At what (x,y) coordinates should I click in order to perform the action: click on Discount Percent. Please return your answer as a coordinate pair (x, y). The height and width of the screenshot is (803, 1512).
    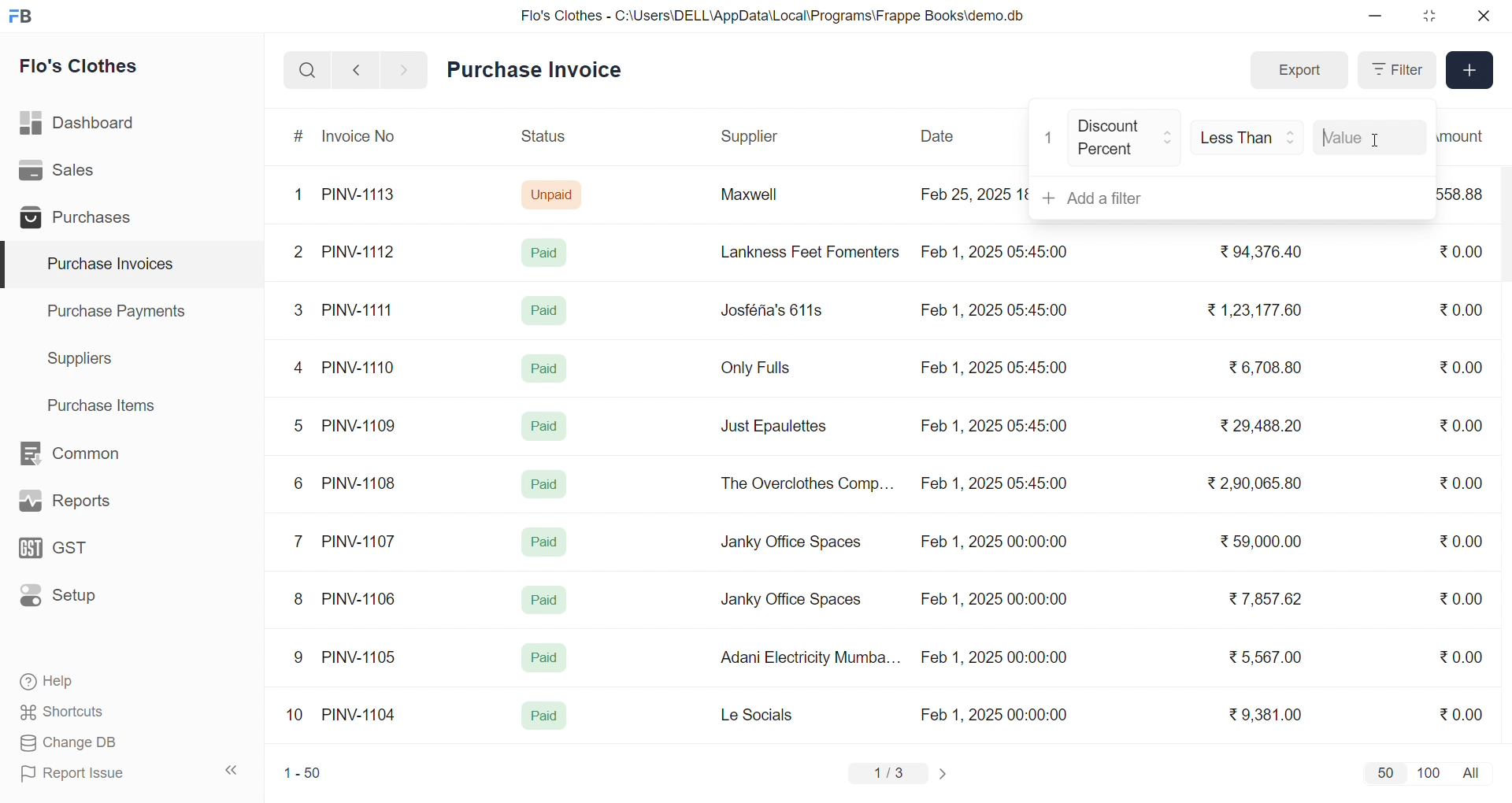
    Looking at the image, I should click on (1125, 138).